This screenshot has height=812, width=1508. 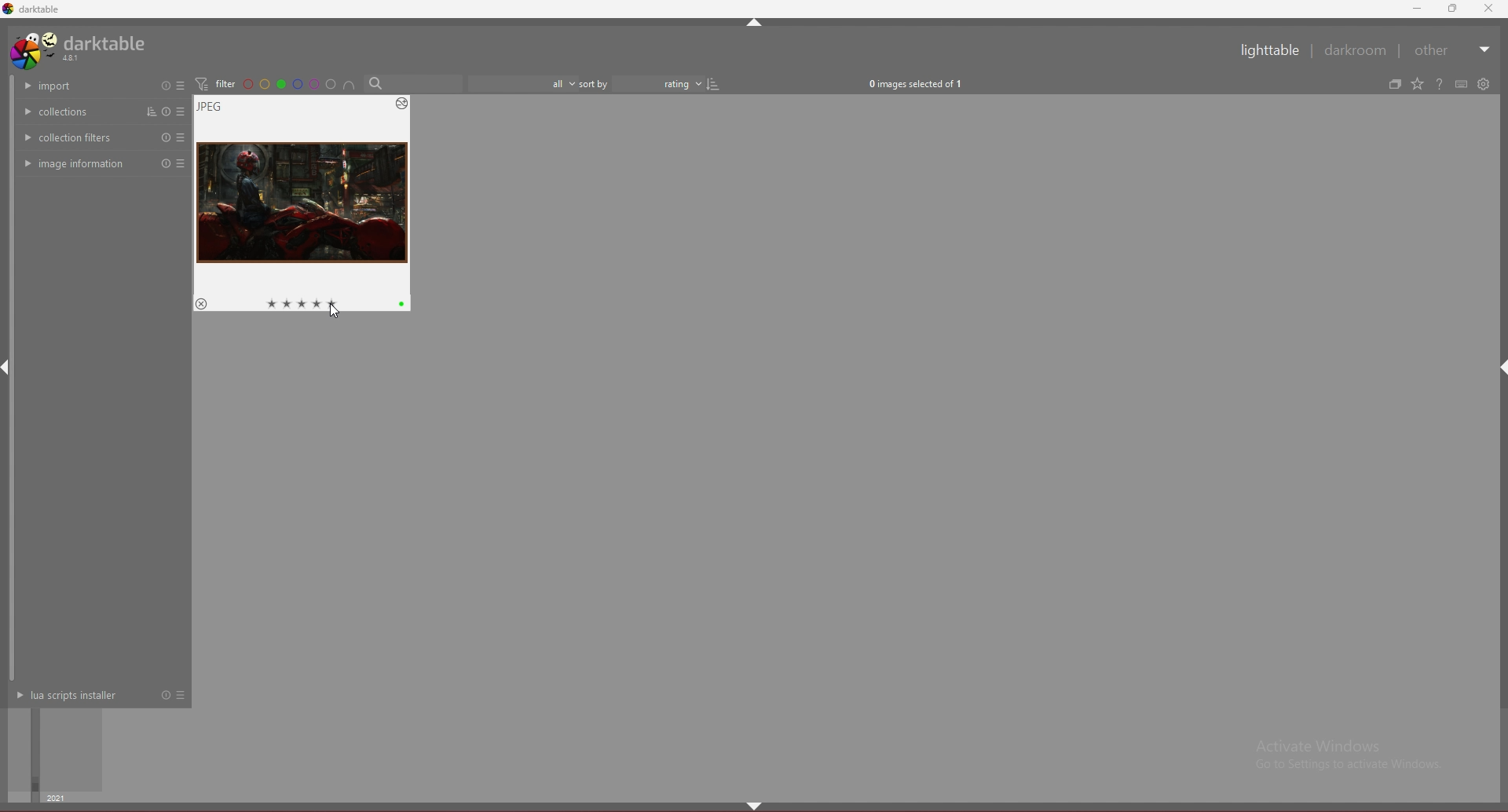 What do you see at coordinates (301, 303) in the screenshot?
I see `star rating` at bounding box center [301, 303].